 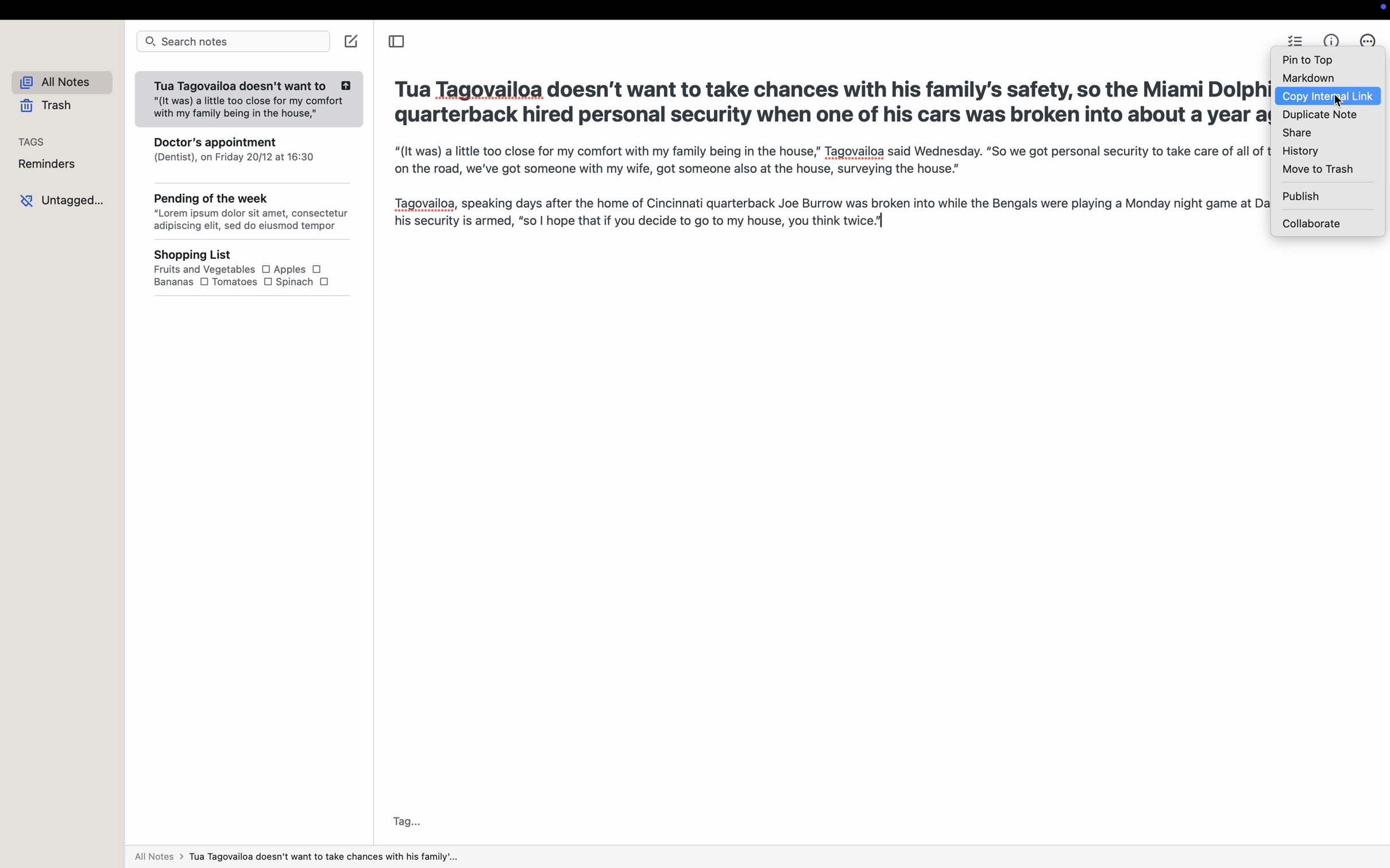 What do you see at coordinates (1371, 42) in the screenshot?
I see `click on more options` at bounding box center [1371, 42].